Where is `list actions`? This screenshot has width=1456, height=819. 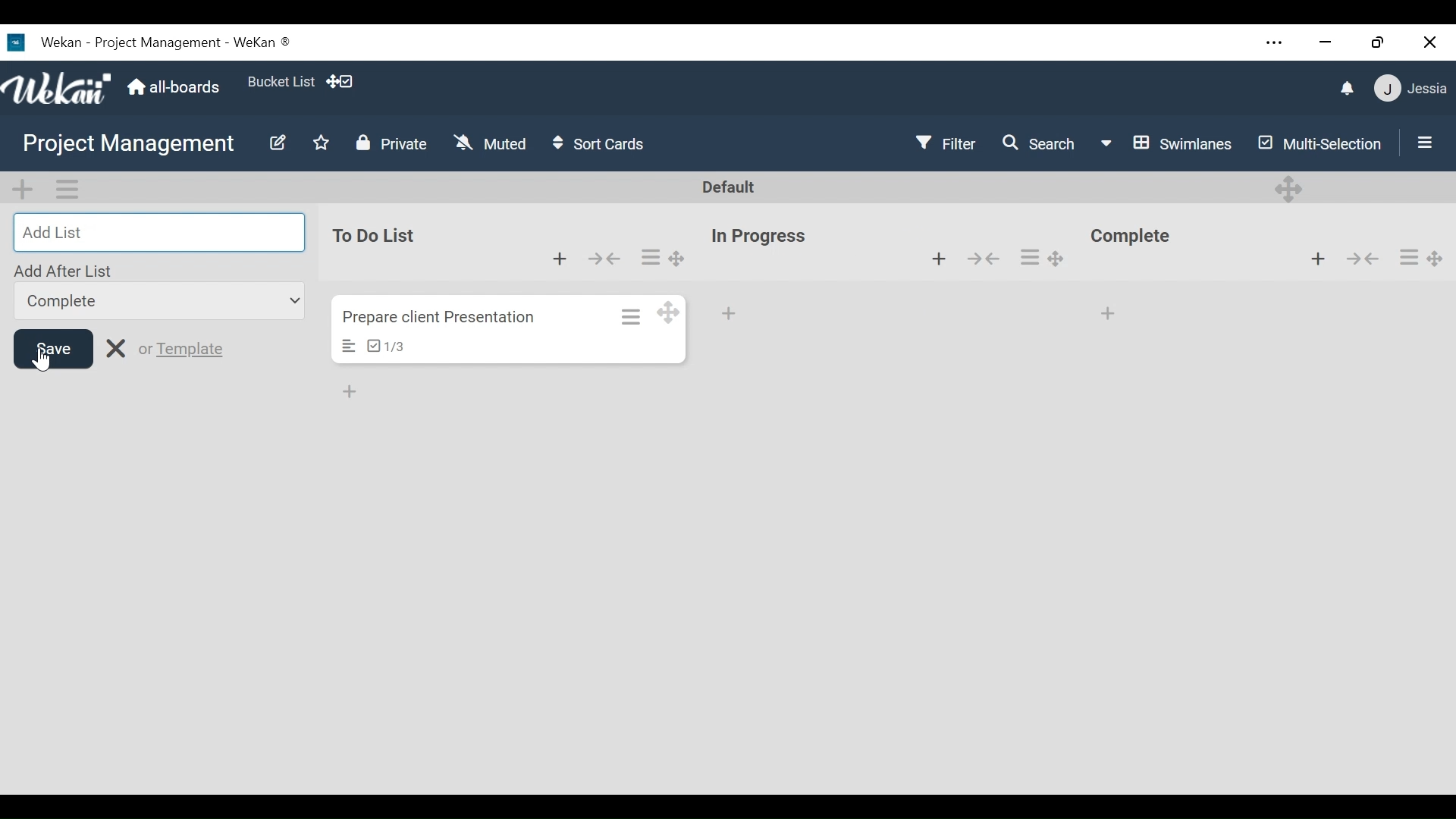
list actions is located at coordinates (1408, 257).